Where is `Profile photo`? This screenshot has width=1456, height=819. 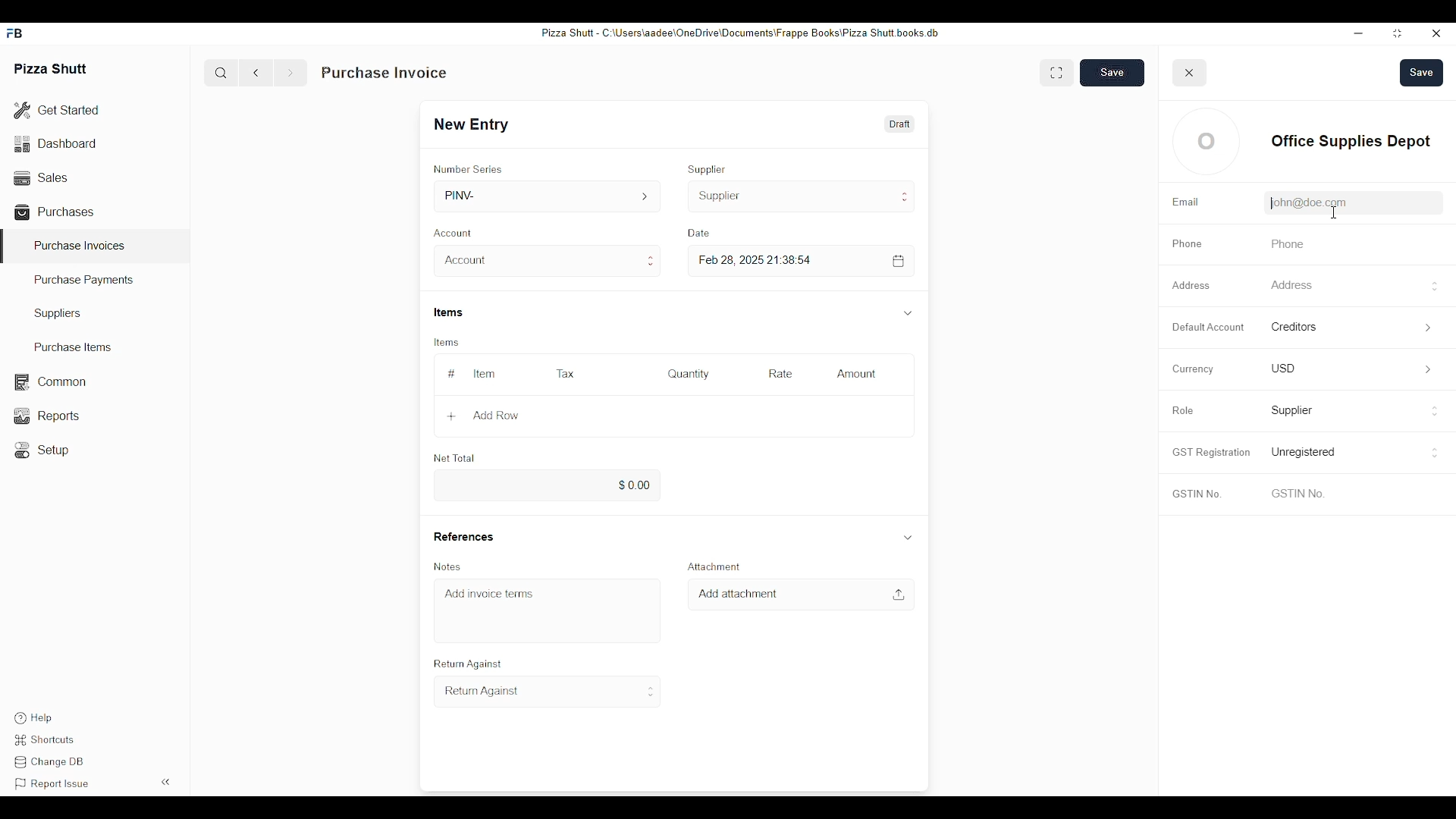 Profile photo is located at coordinates (1207, 141).